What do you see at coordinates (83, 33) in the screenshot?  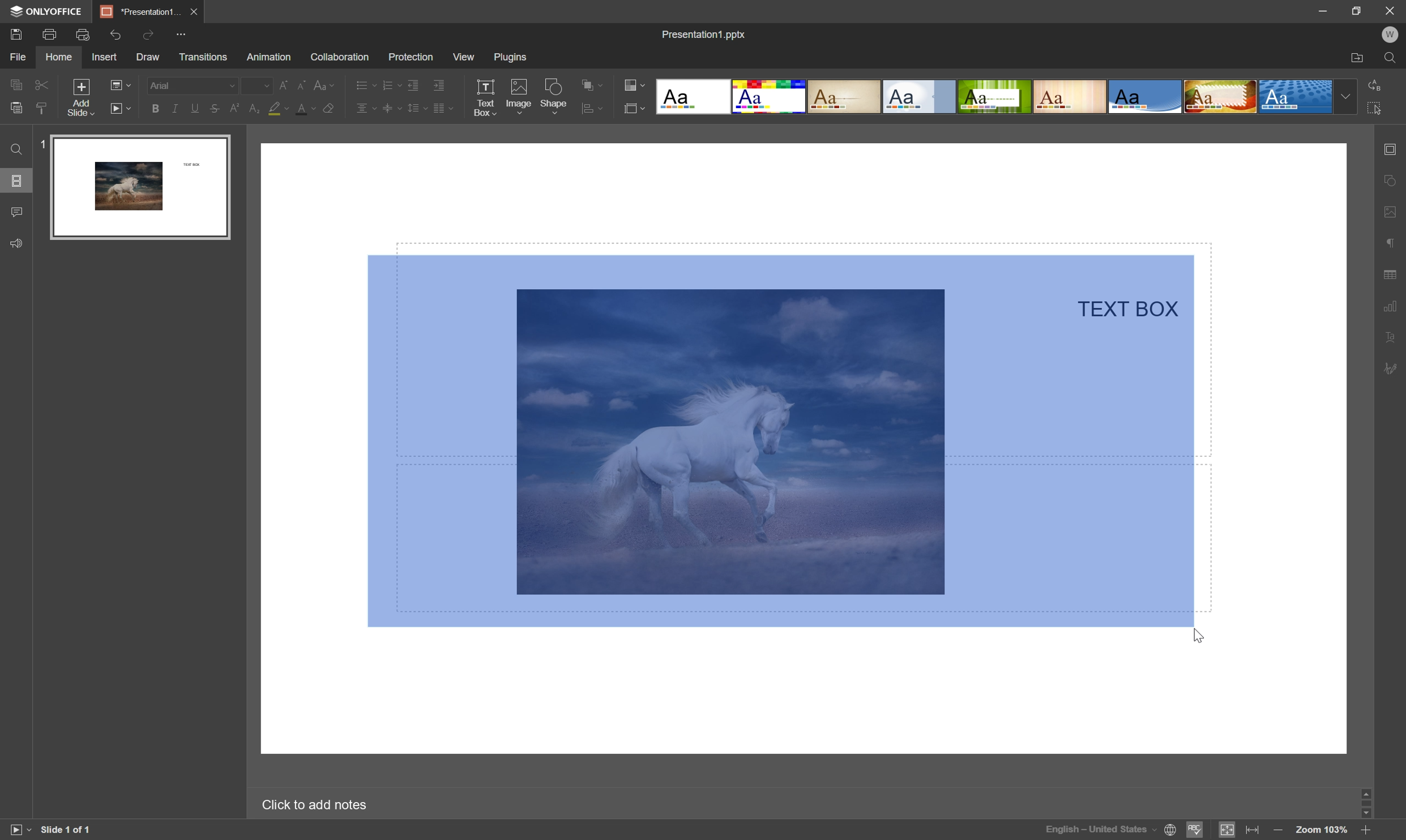 I see `print preview` at bounding box center [83, 33].